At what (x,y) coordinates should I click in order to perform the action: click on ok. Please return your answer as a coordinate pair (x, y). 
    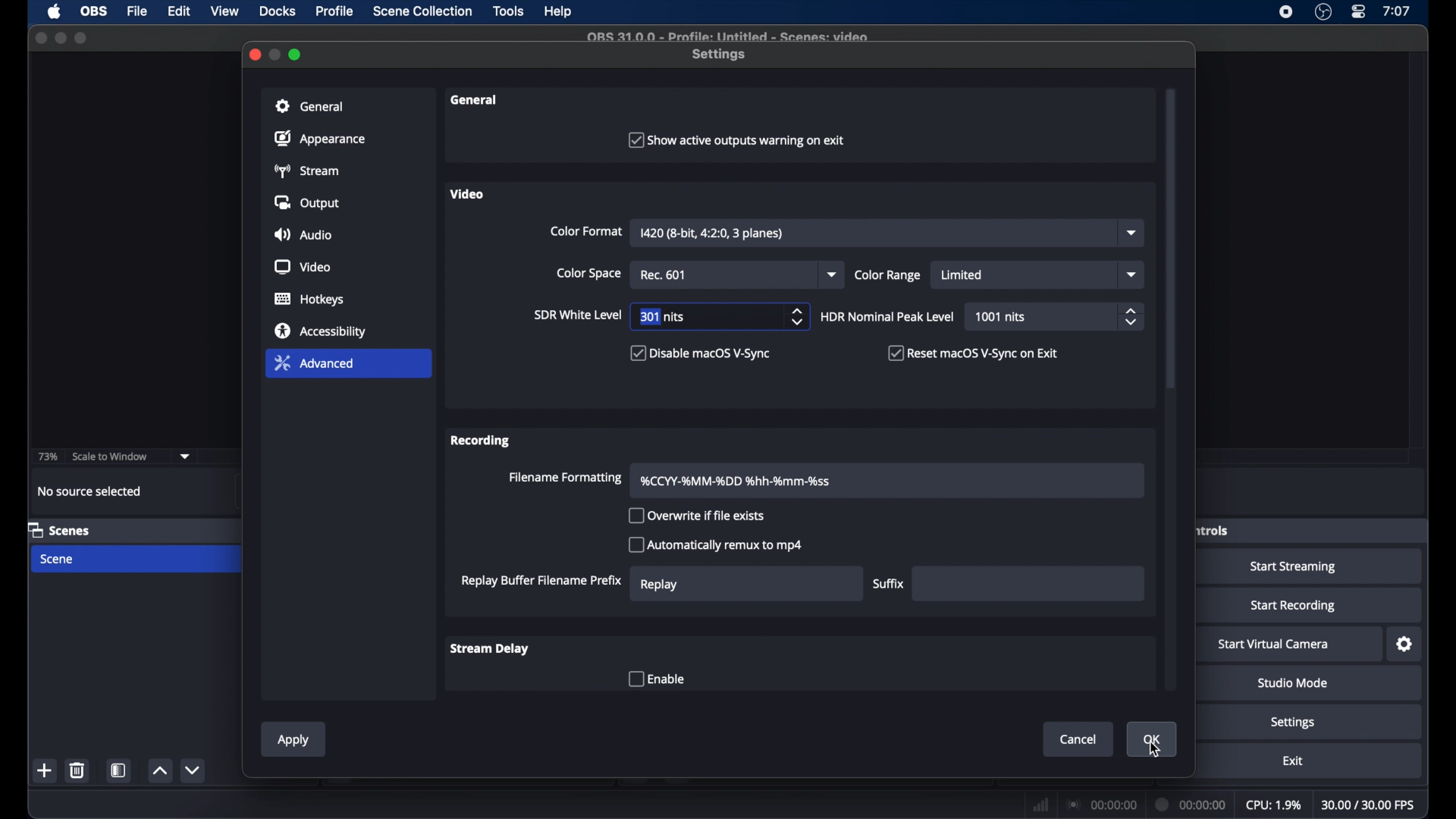
    Looking at the image, I should click on (1152, 740).